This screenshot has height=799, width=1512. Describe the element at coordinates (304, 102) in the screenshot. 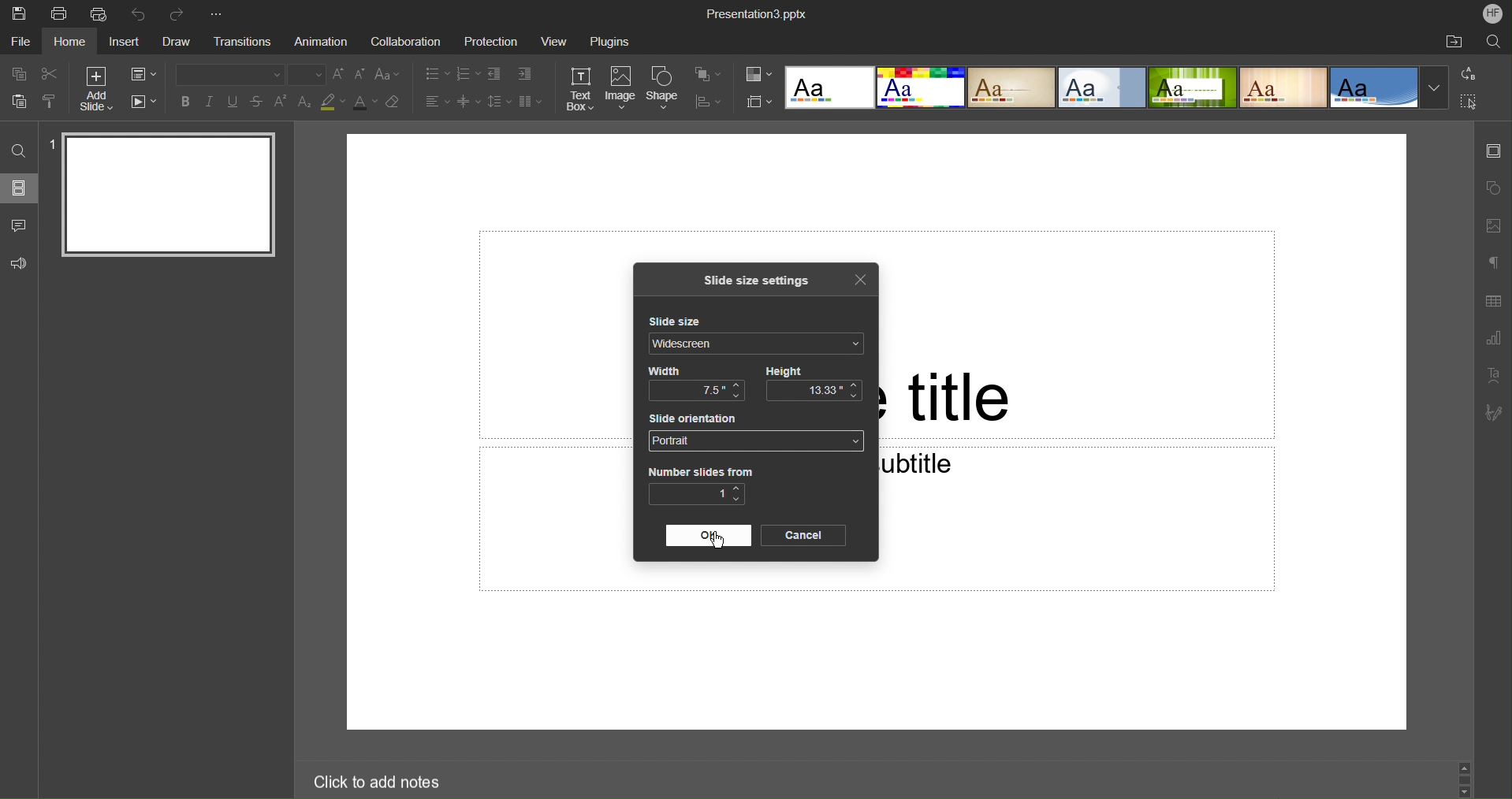

I see `Subscript` at that location.